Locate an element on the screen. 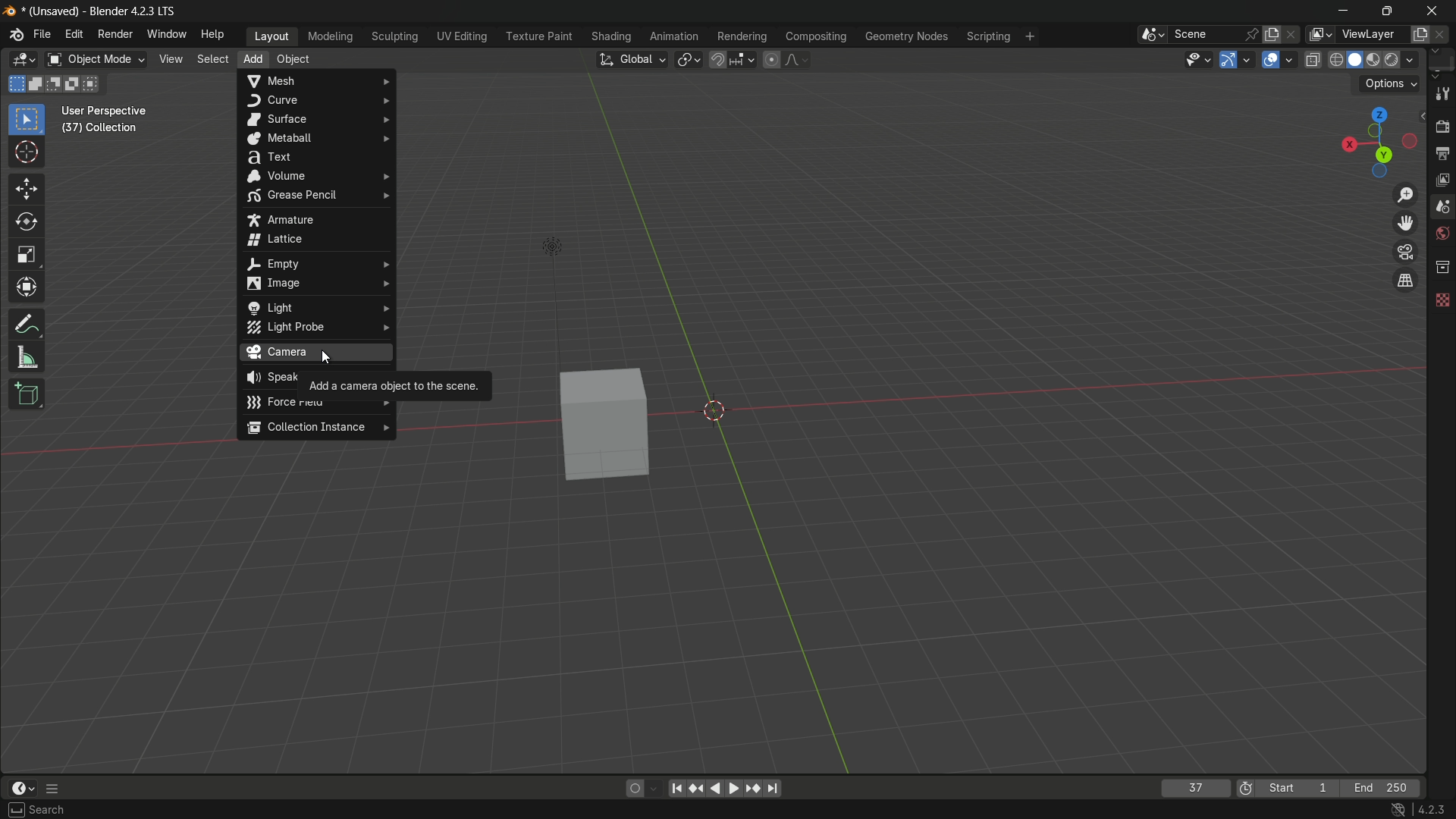 This screenshot has height=819, width=1456. add cube is located at coordinates (27, 394).